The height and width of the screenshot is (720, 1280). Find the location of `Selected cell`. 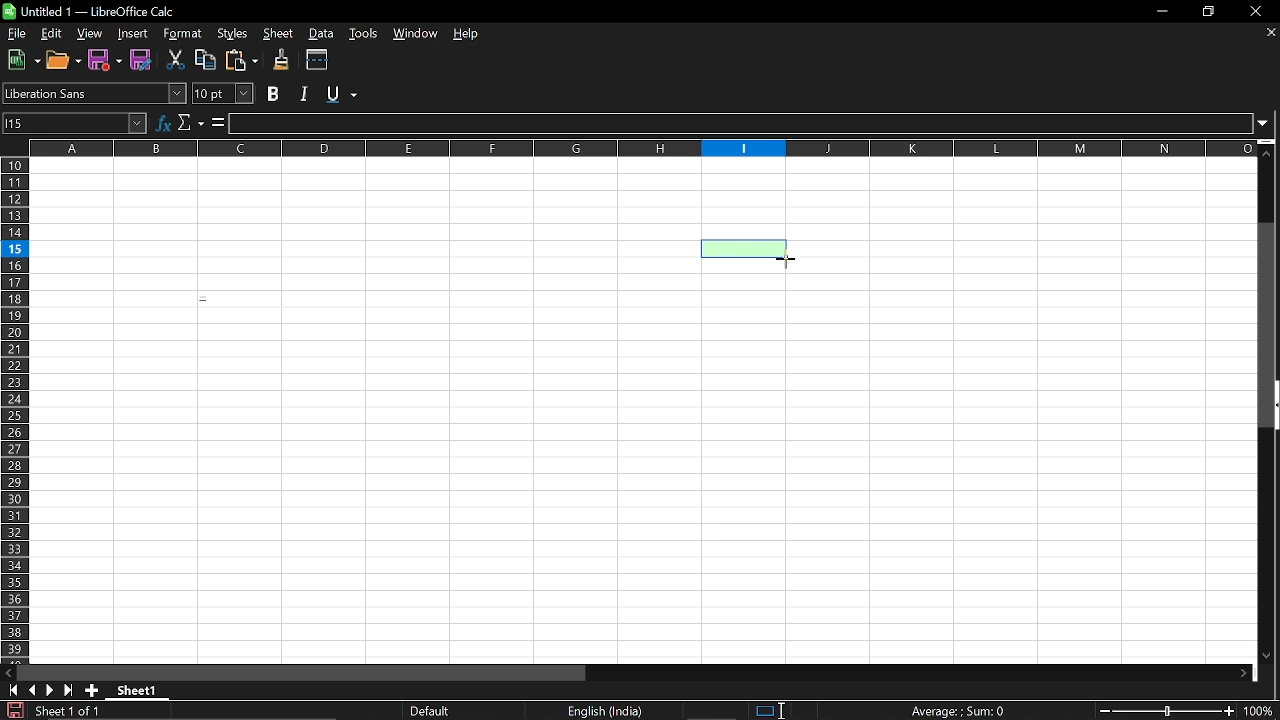

Selected cell is located at coordinates (745, 248).